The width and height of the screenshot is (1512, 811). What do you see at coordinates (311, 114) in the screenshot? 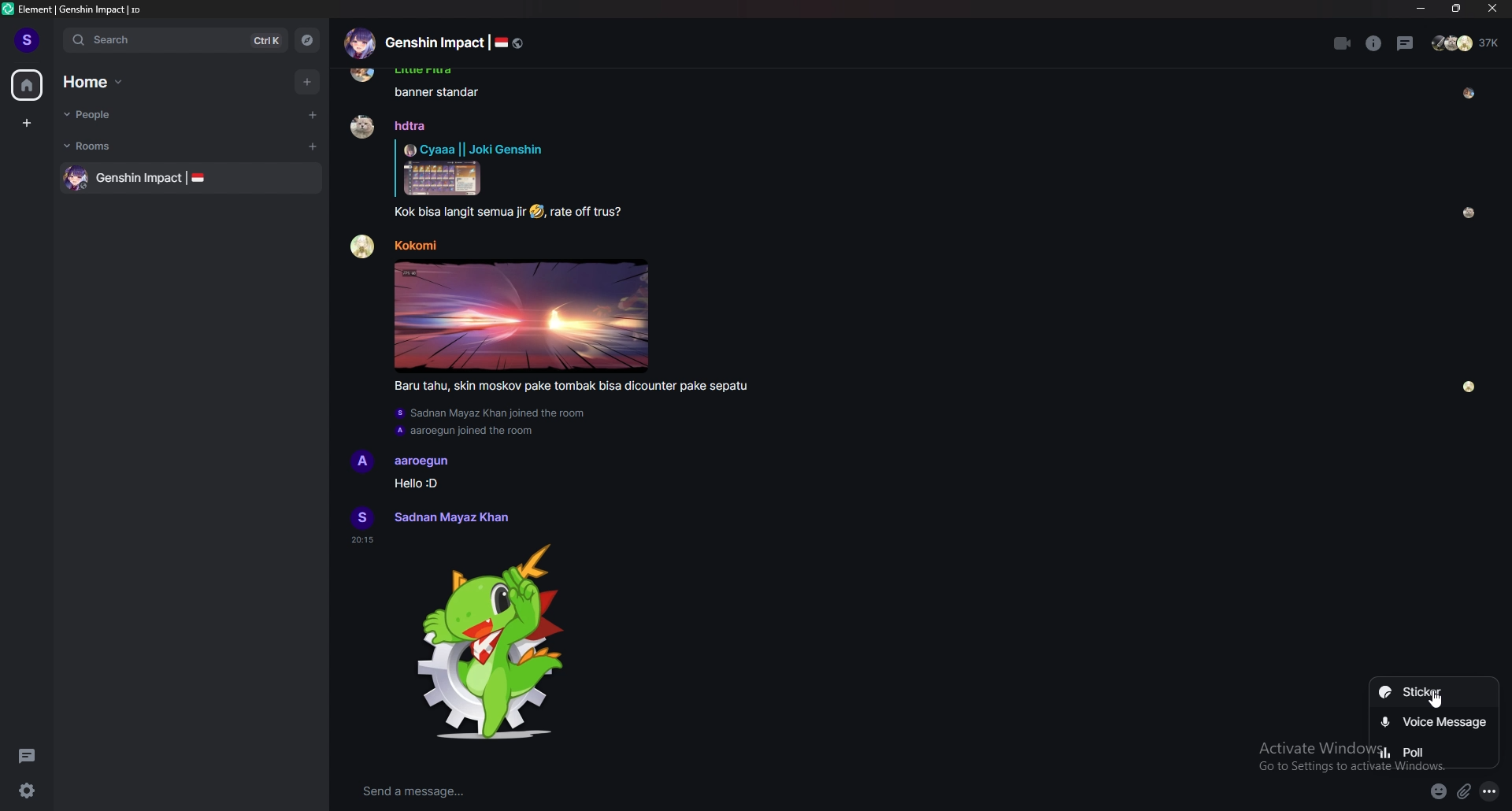
I see `start chat` at bounding box center [311, 114].